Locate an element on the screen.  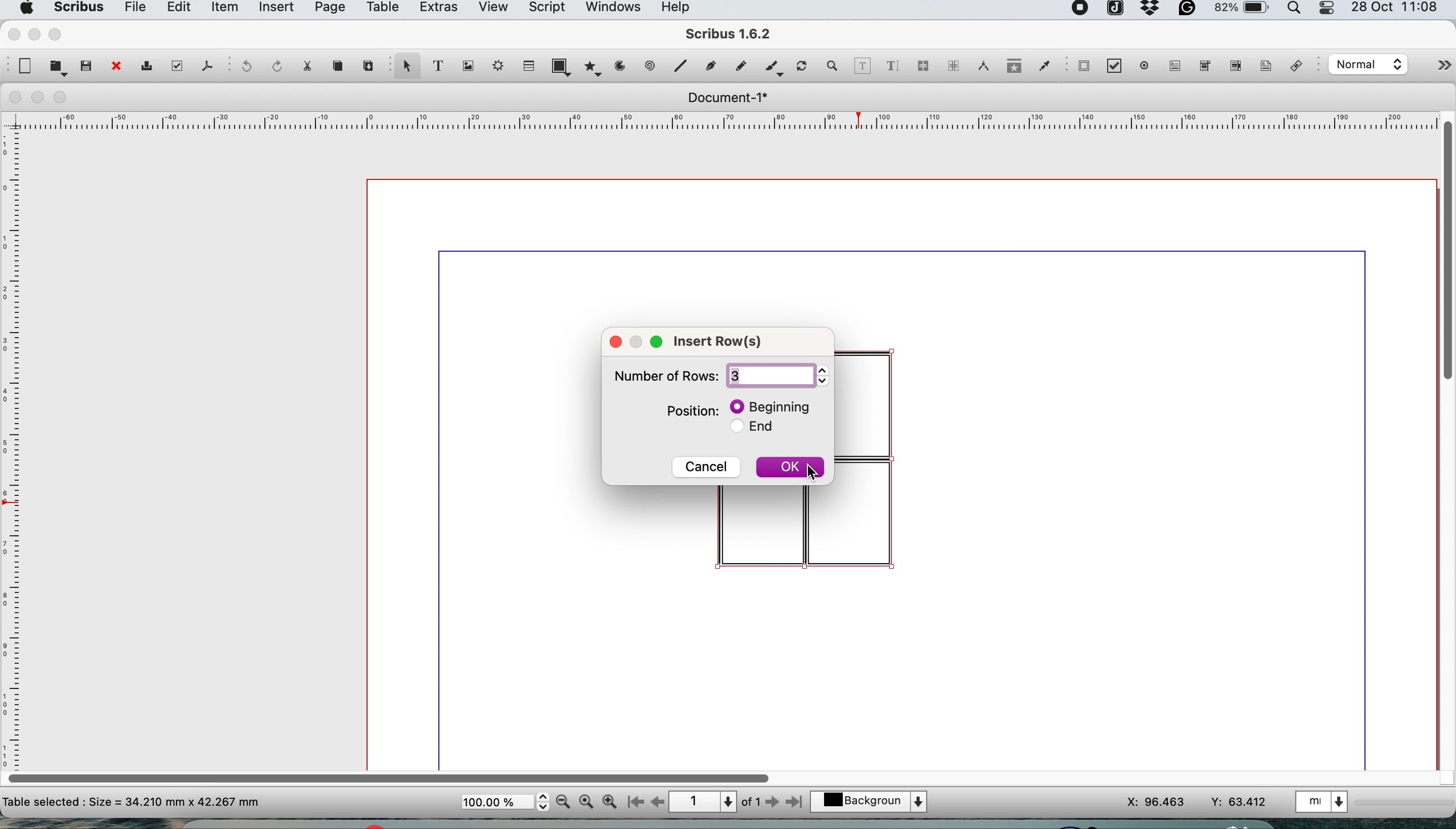
script is located at coordinates (545, 9).